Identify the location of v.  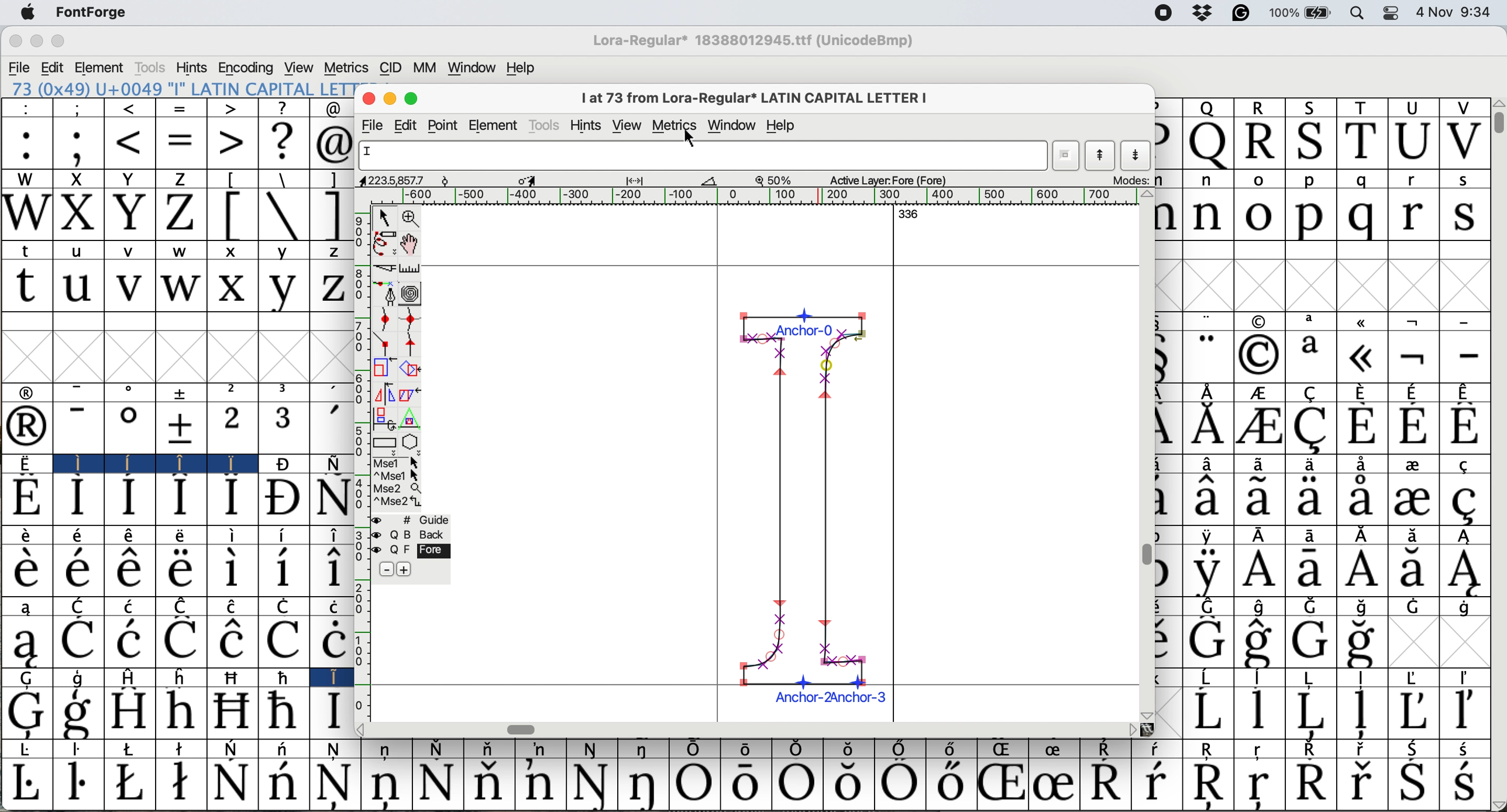
(131, 253).